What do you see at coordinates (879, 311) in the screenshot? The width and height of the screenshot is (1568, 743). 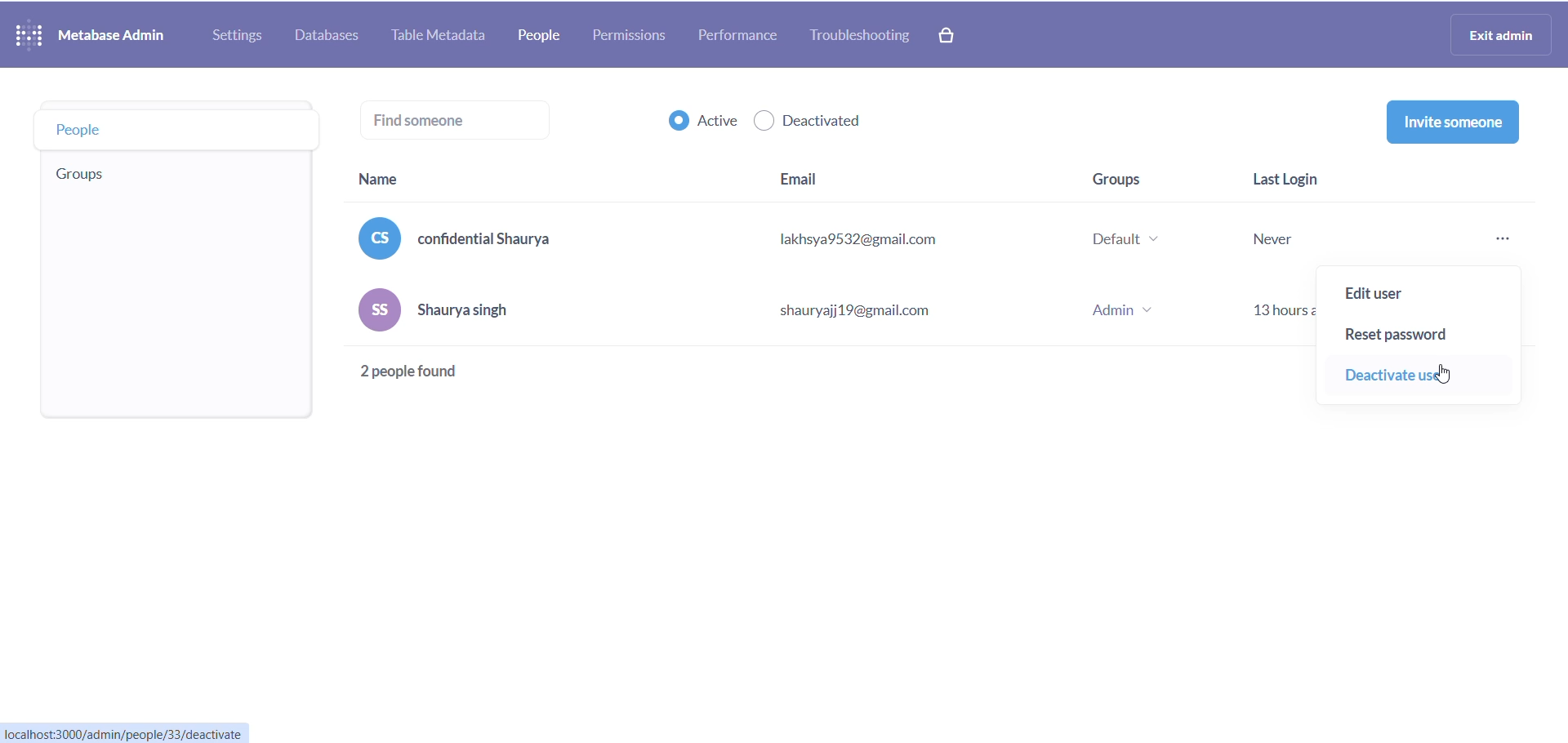 I see `email` at bounding box center [879, 311].